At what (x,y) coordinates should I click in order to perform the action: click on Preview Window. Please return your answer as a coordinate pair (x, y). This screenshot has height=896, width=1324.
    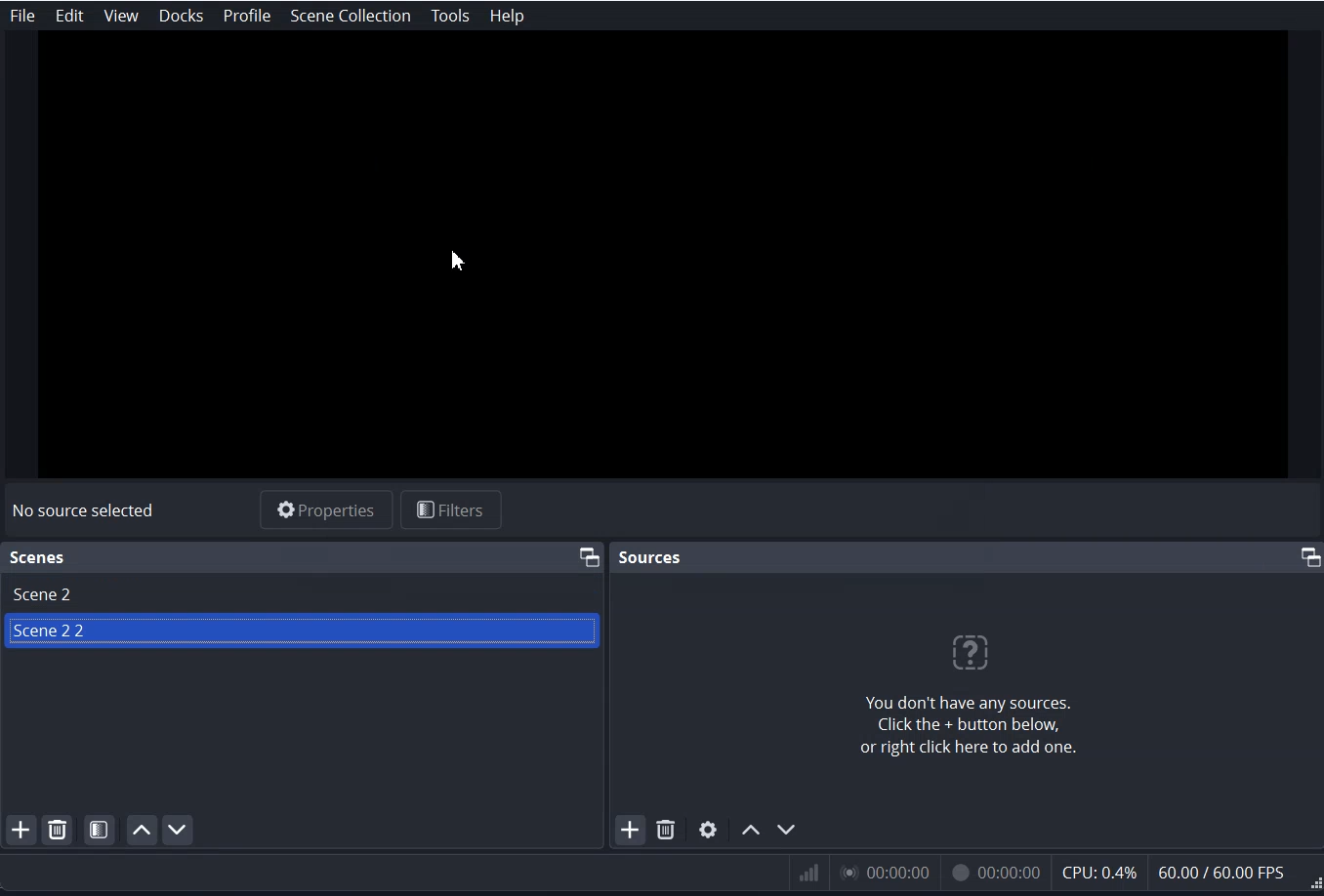
    Looking at the image, I should click on (661, 262).